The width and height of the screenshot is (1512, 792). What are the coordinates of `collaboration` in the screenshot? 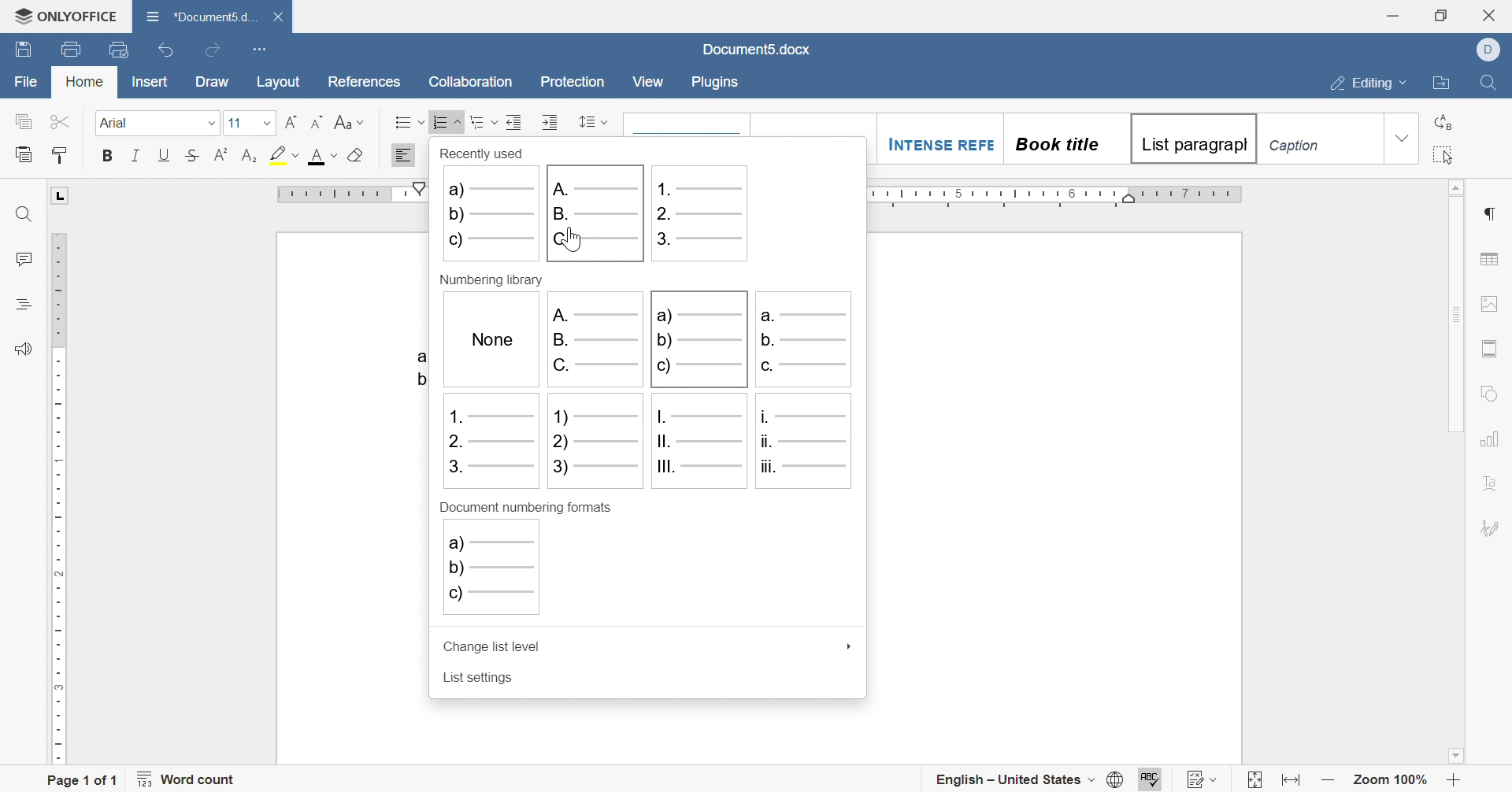 It's located at (472, 80).